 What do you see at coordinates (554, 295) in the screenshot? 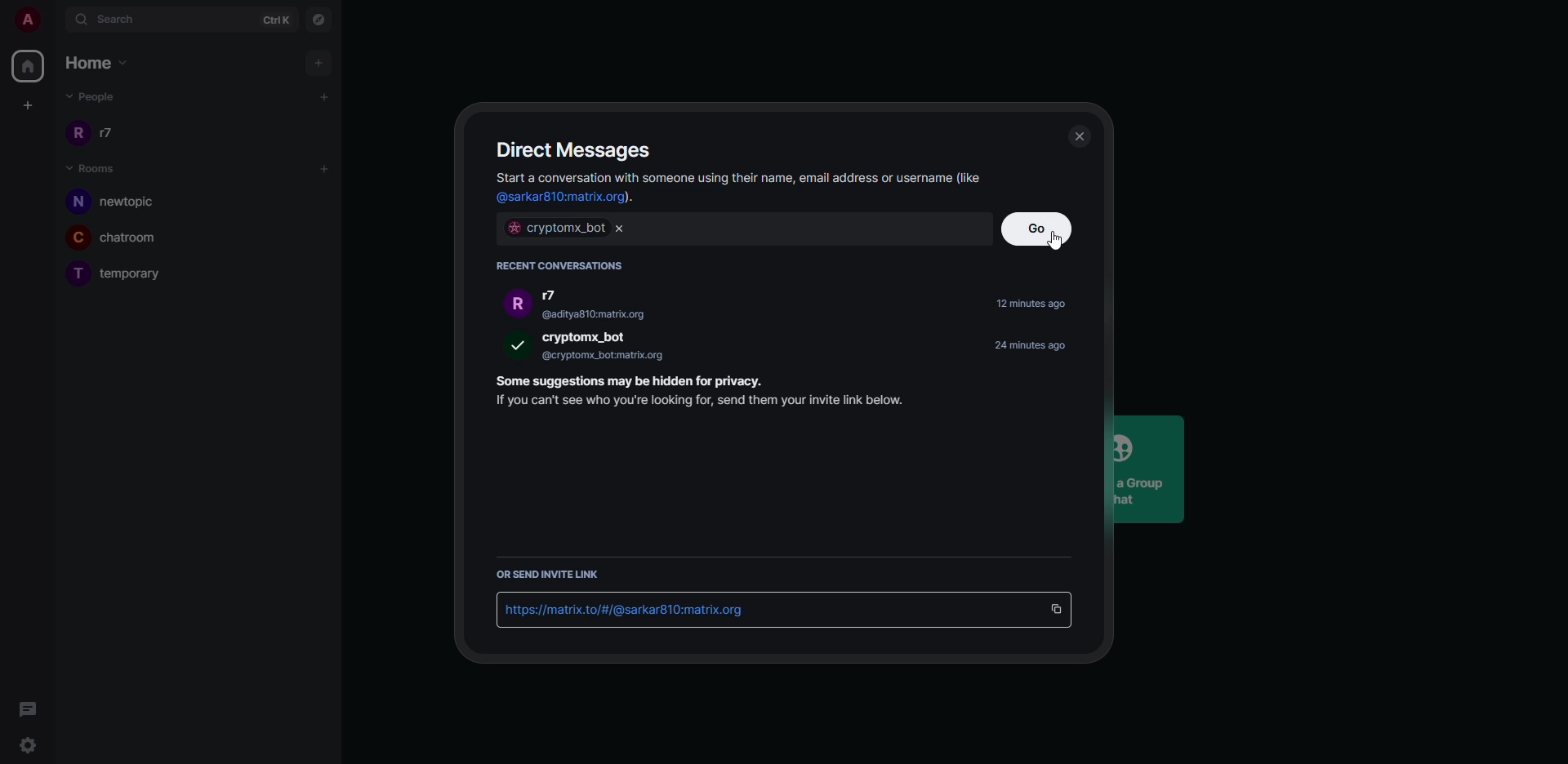
I see `r7` at bounding box center [554, 295].